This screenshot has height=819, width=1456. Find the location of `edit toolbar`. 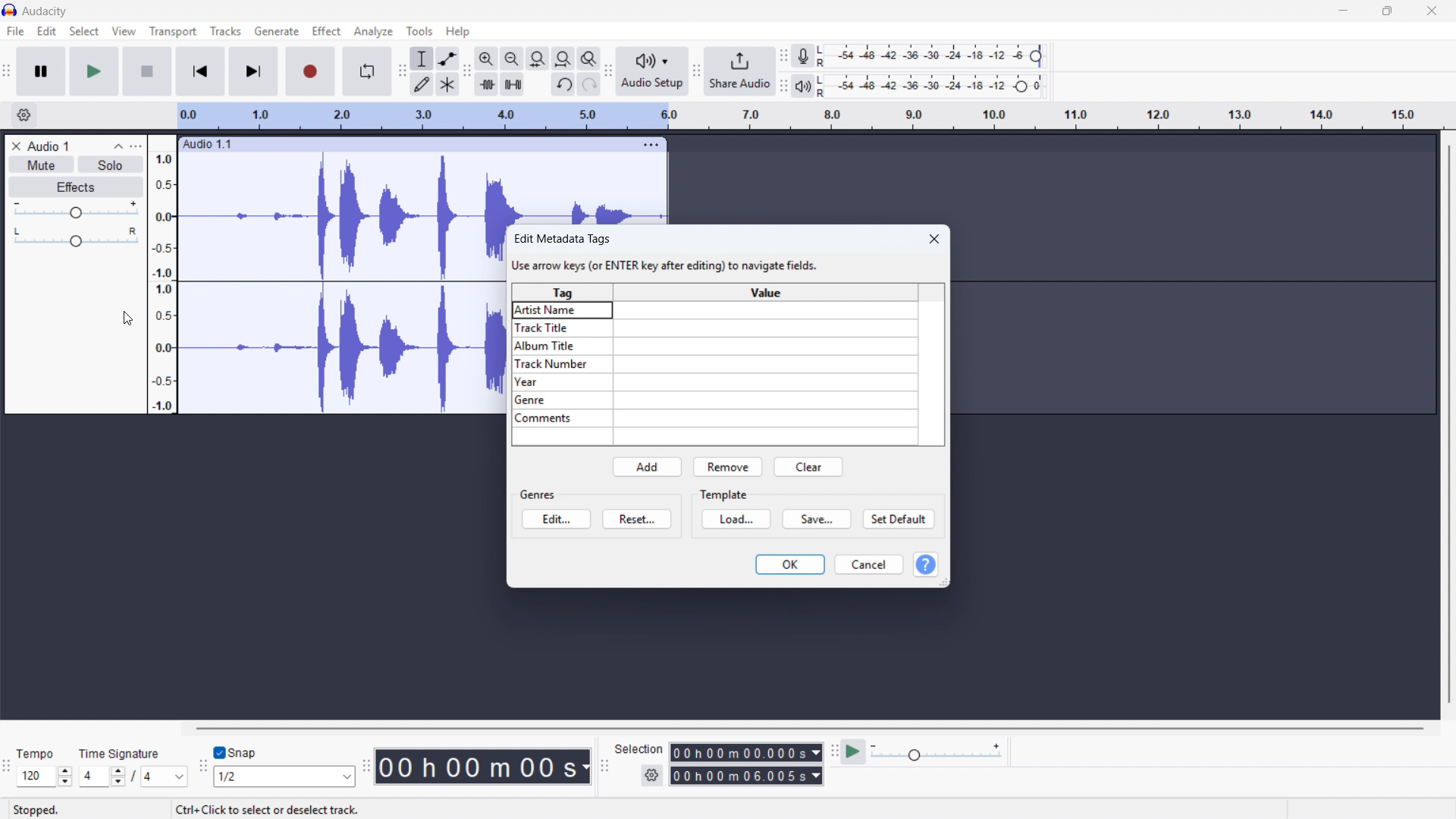

edit toolbar is located at coordinates (467, 73).